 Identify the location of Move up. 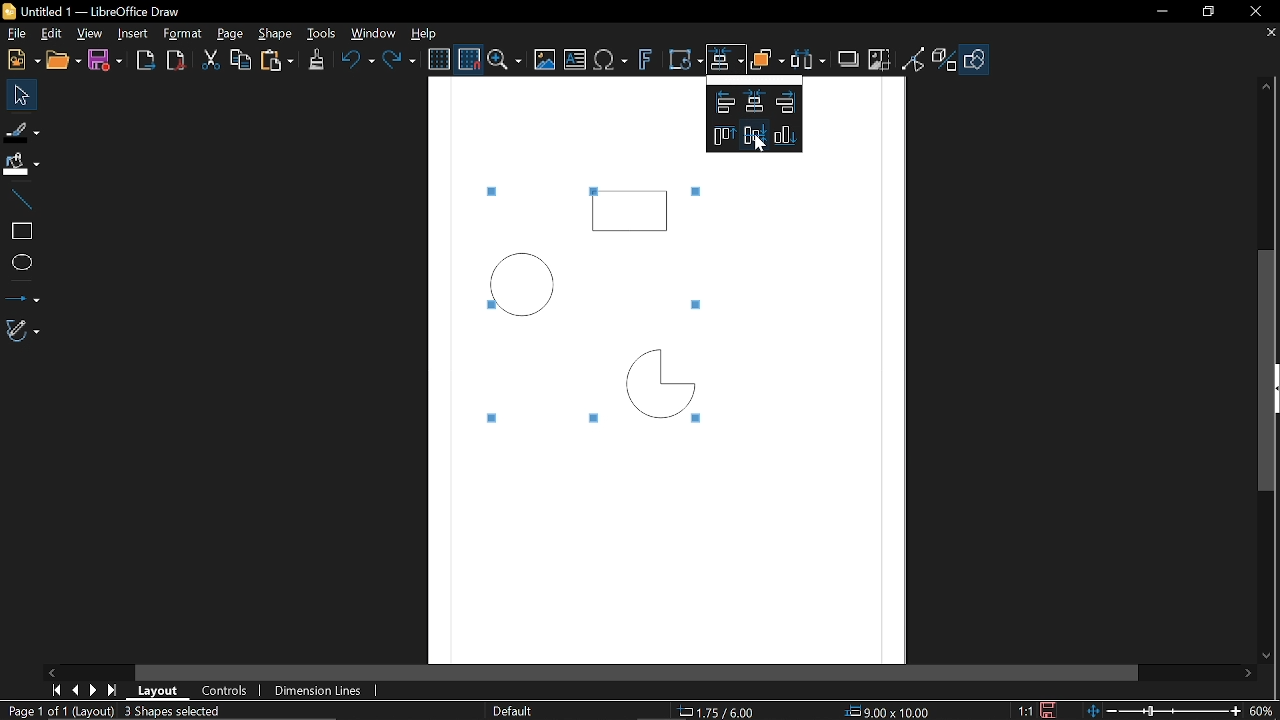
(1268, 84).